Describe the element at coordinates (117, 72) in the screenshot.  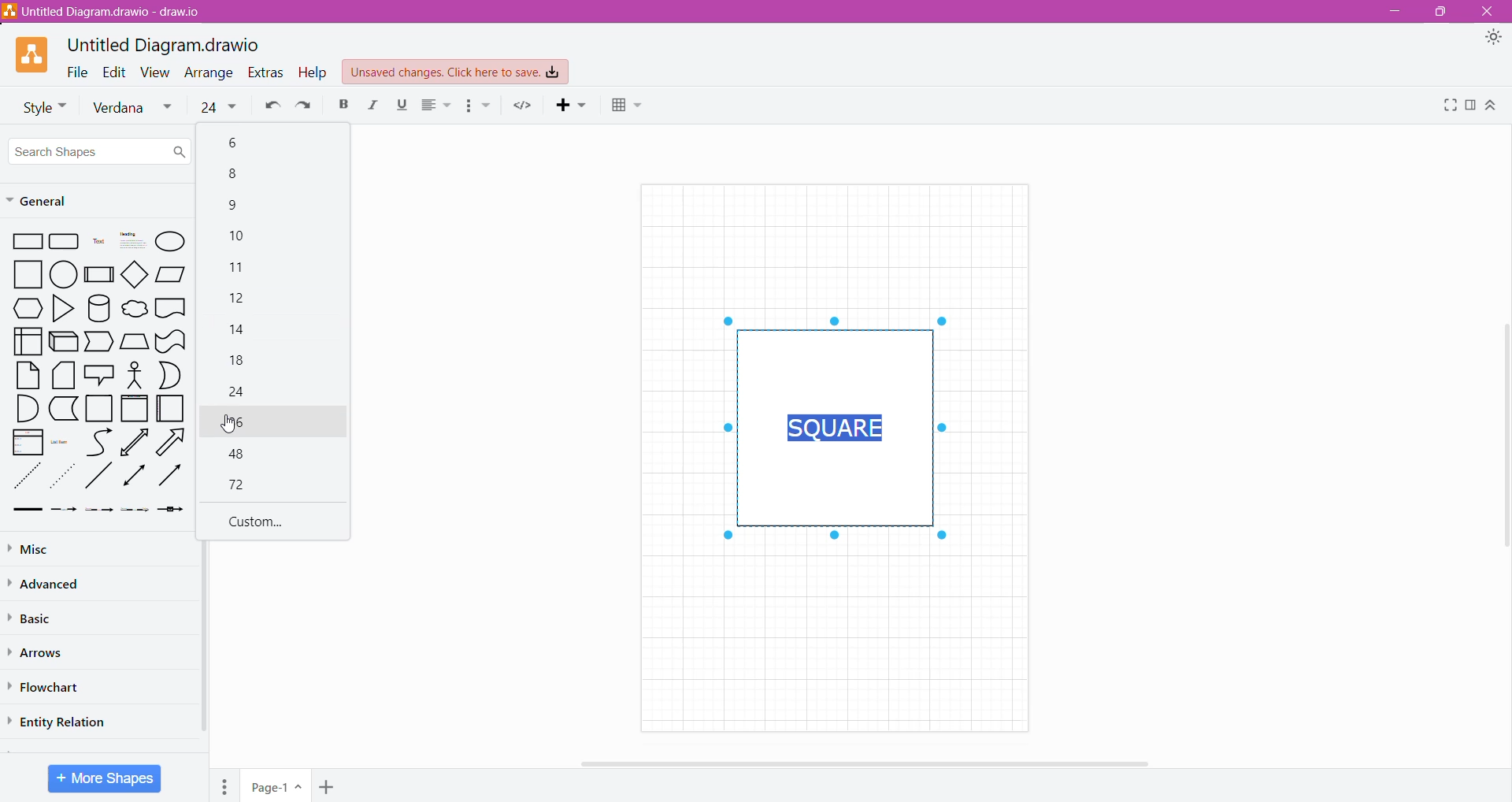
I see `Edit` at that location.